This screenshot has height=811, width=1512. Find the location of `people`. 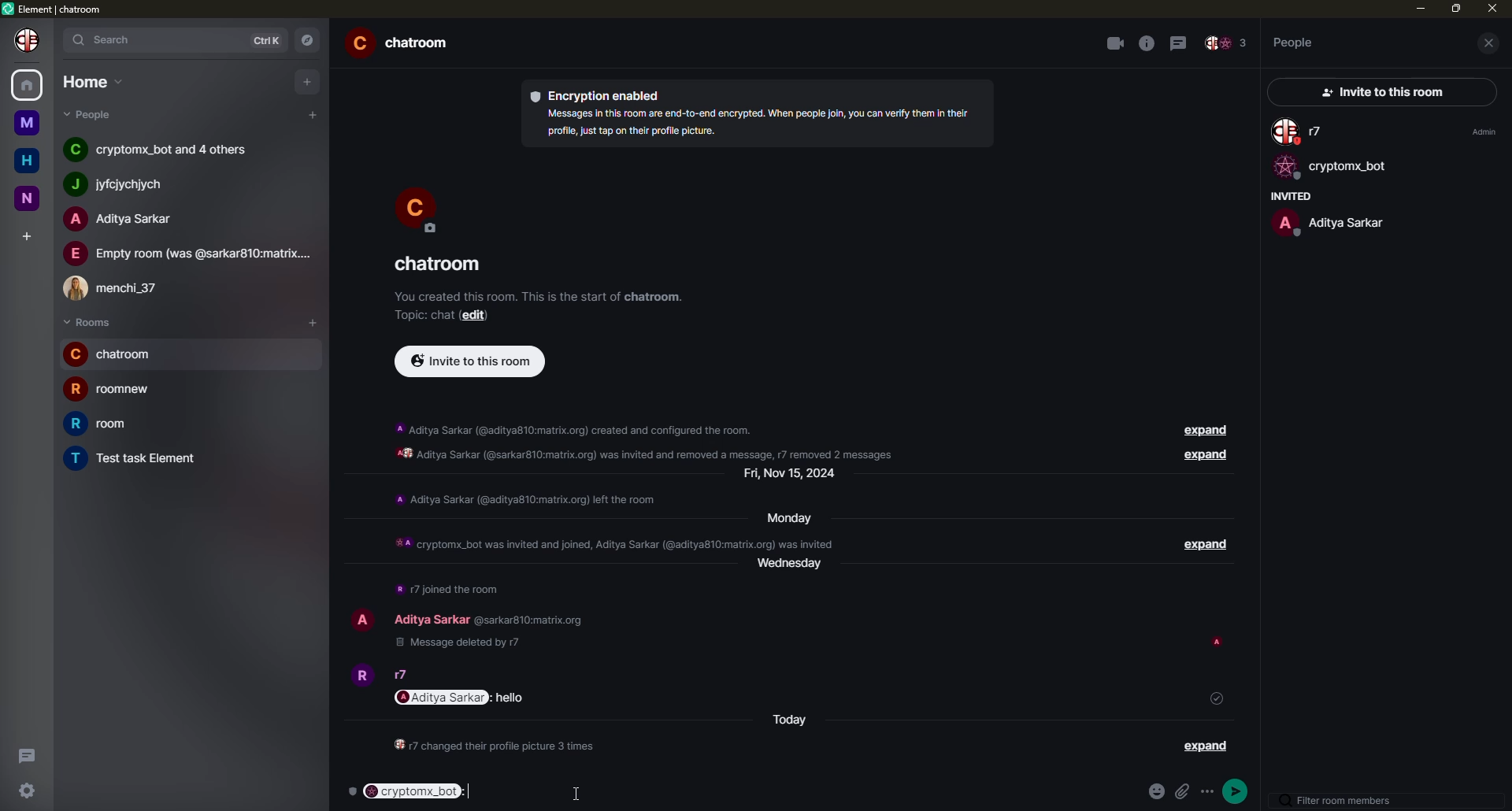

people is located at coordinates (124, 184).